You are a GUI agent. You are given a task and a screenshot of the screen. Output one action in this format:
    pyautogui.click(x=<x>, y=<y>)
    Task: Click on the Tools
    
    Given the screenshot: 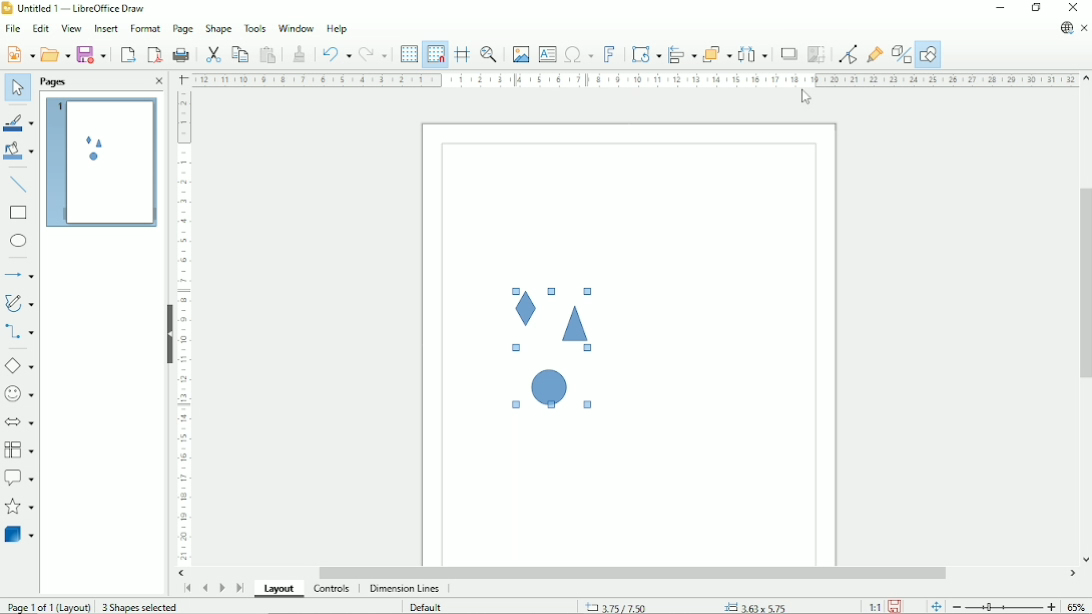 What is the action you would take?
    pyautogui.click(x=255, y=28)
    